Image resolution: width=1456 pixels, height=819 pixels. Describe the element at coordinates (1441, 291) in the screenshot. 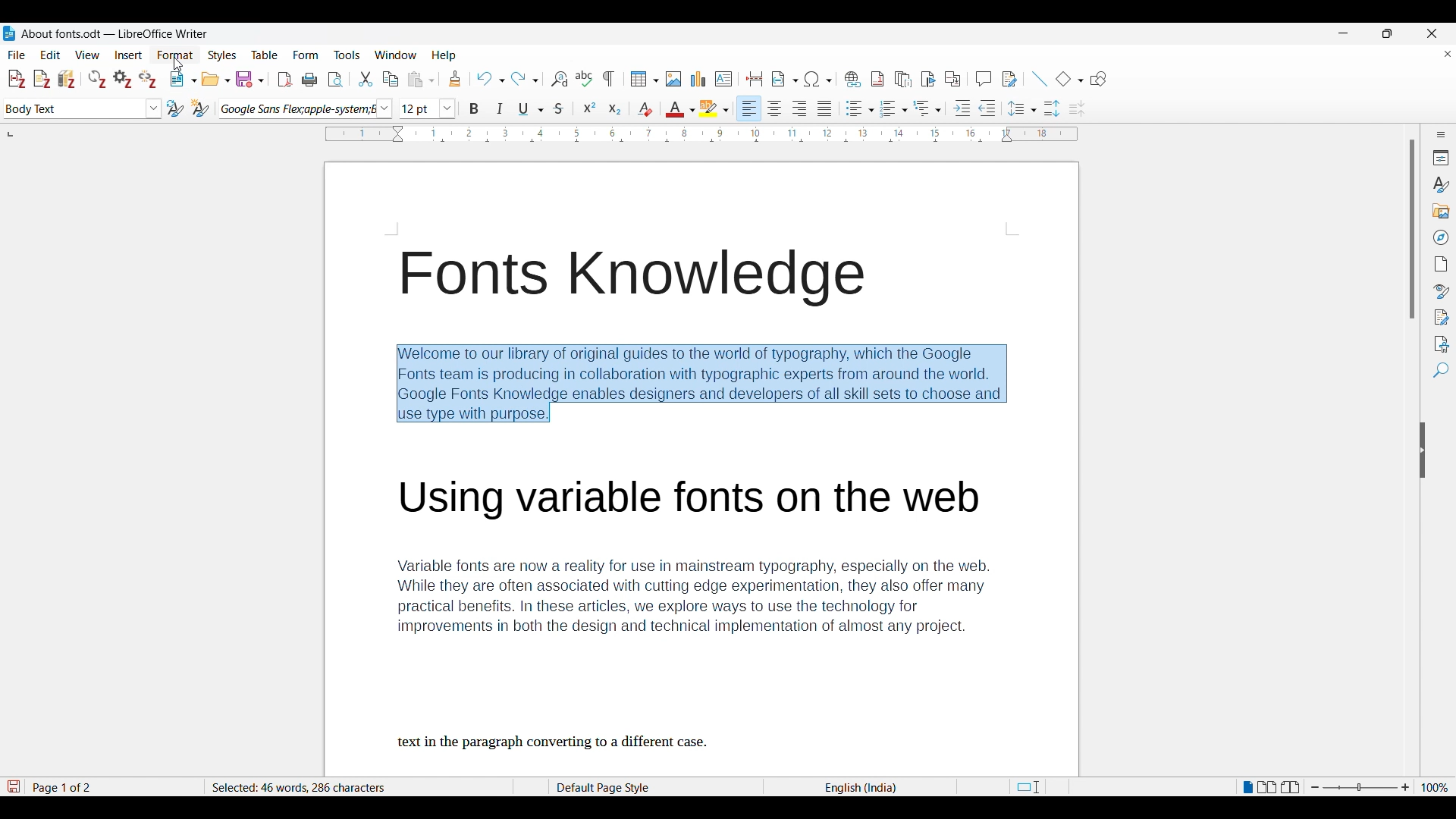

I see `Style inspector` at that location.